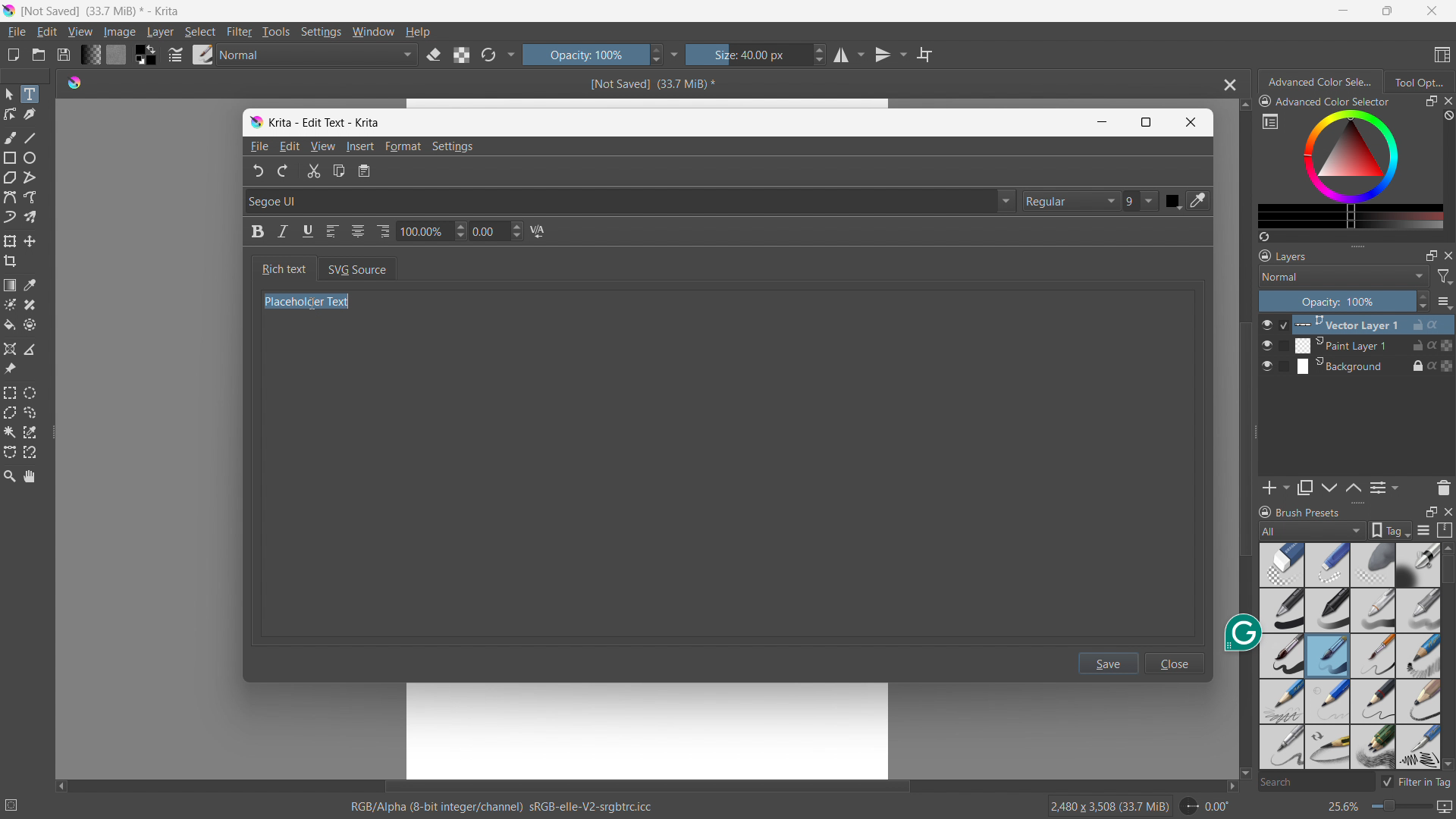  Describe the element at coordinates (1417, 657) in the screenshot. I see `sketch pencil` at that location.